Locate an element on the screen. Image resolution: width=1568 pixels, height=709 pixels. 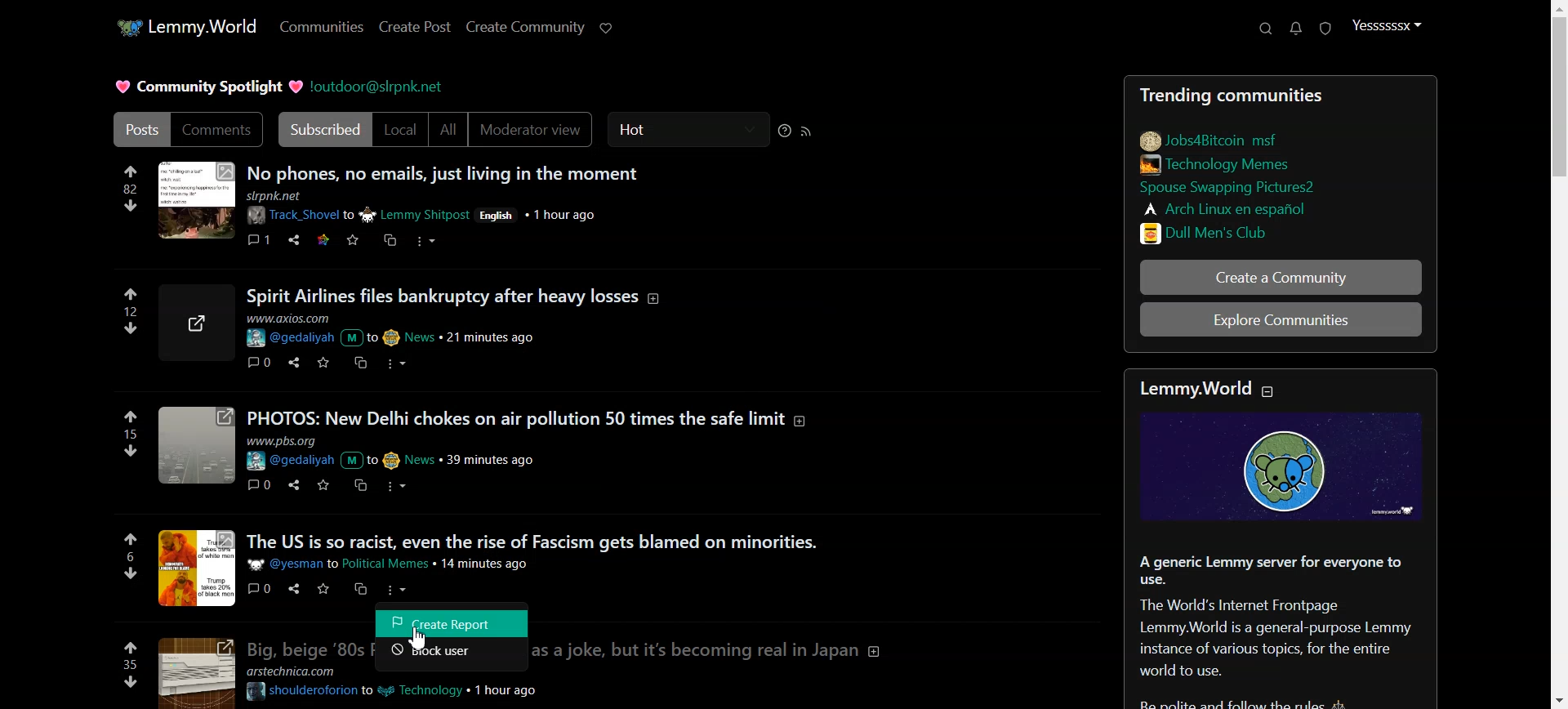
cross post is located at coordinates (359, 362).